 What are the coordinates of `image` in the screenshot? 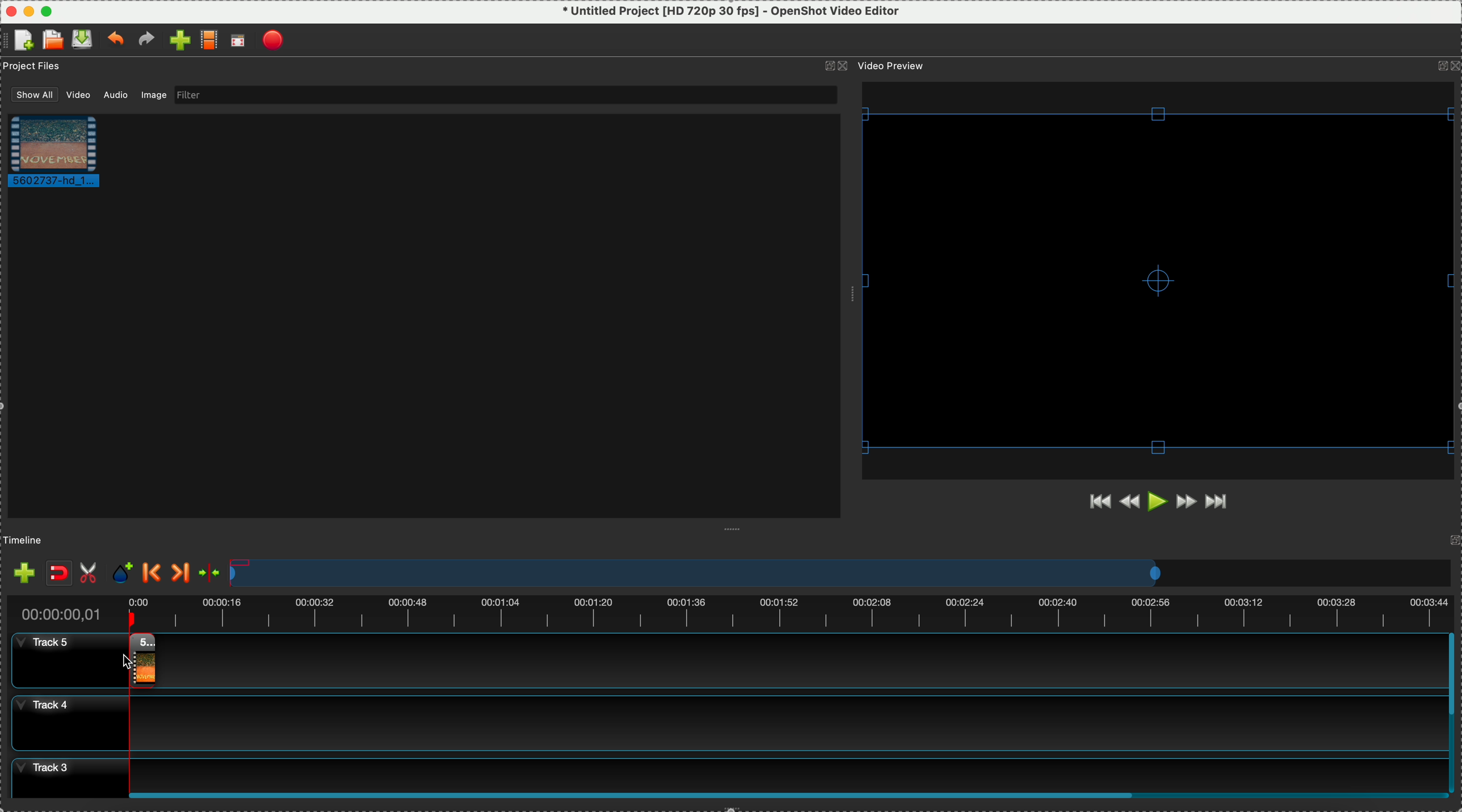 It's located at (156, 96).